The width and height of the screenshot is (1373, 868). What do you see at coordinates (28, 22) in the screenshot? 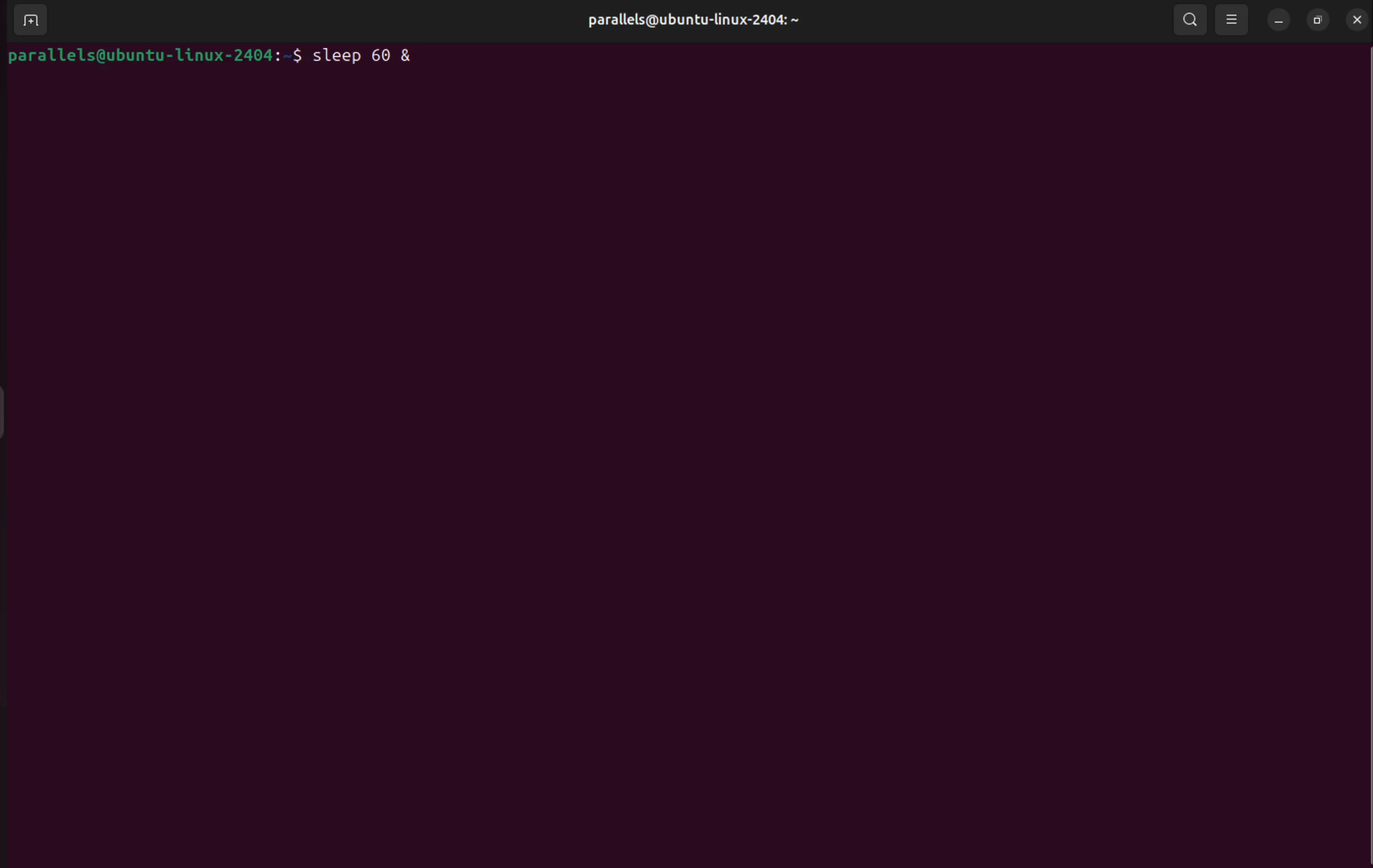
I see `add terminal` at bounding box center [28, 22].